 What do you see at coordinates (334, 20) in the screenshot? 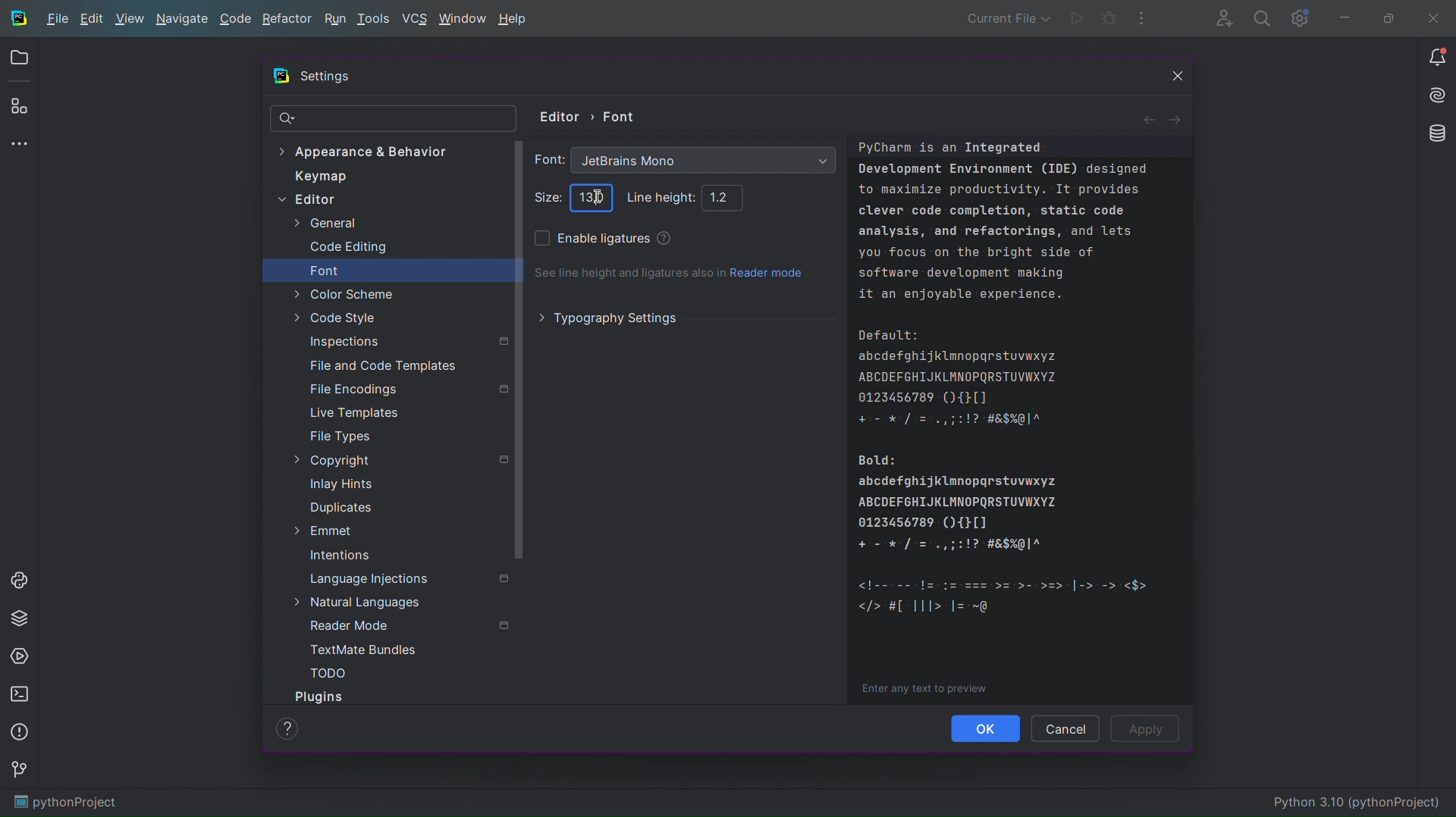
I see `Run` at bounding box center [334, 20].